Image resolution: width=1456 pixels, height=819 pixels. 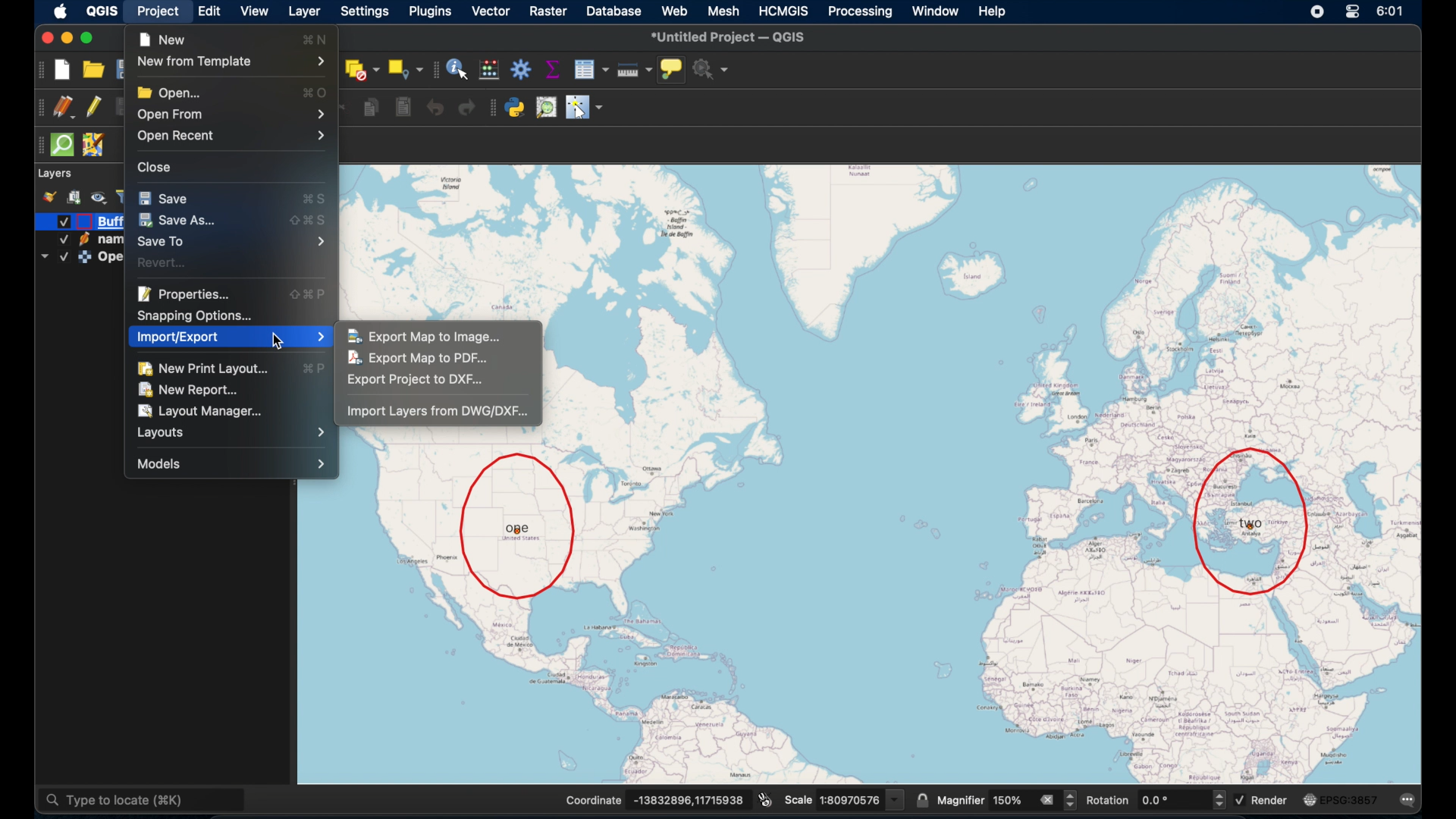 I want to click on open field calculator, so click(x=491, y=69).